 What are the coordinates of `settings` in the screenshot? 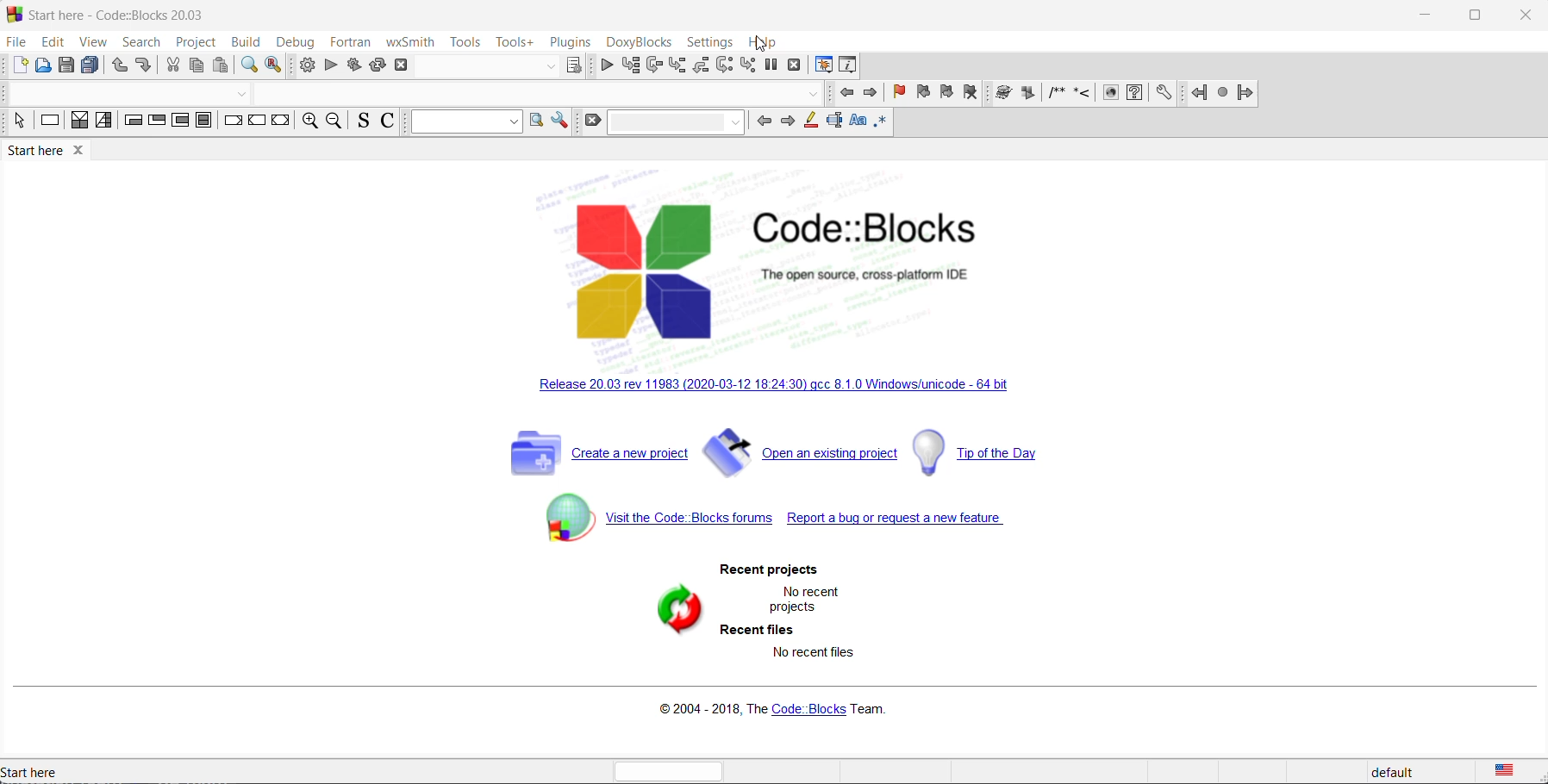 It's located at (1135, 95).